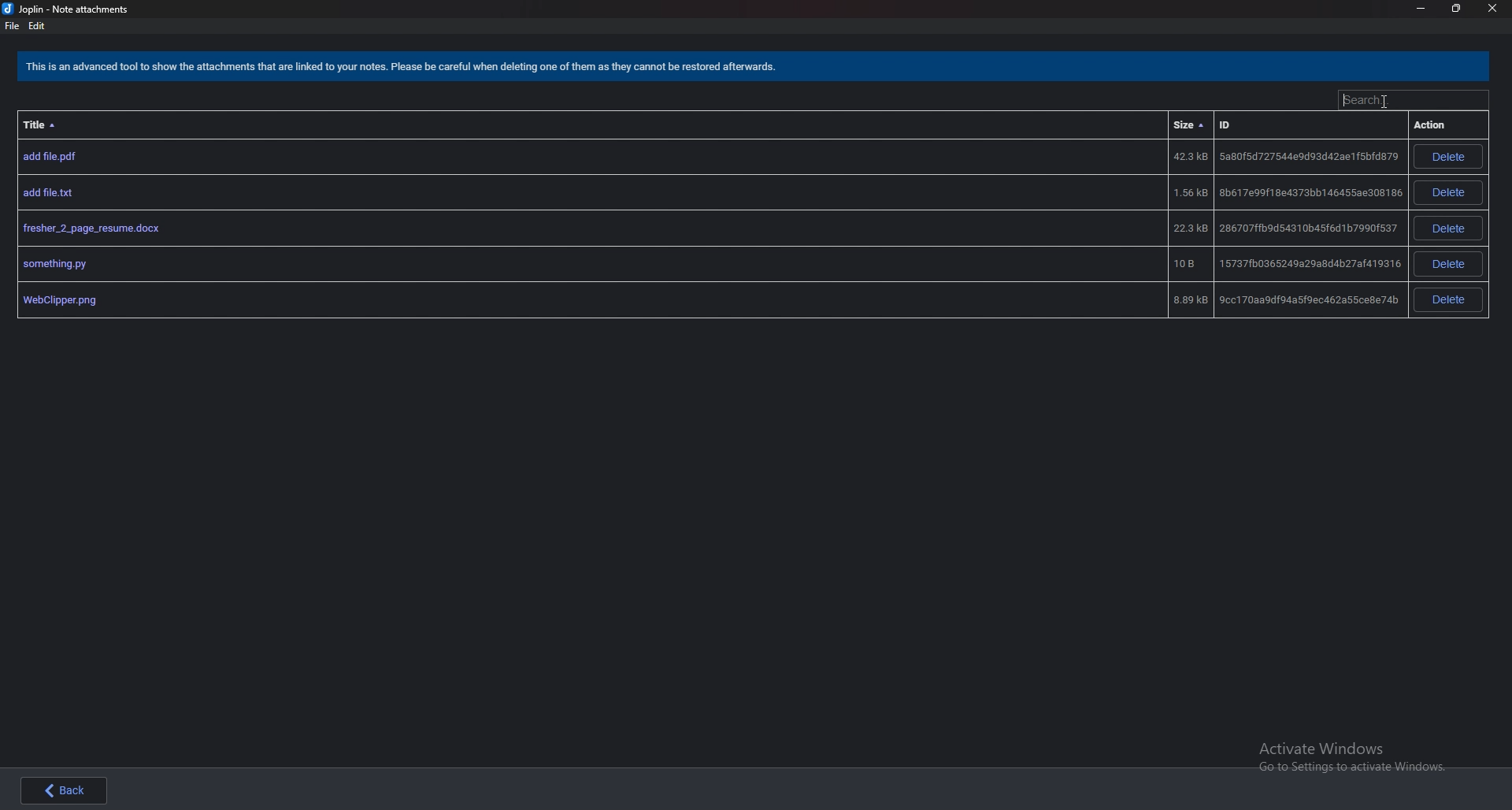  Describe the element at coordinates (1448, 157) in the screenshot. I see `delete` at that location.